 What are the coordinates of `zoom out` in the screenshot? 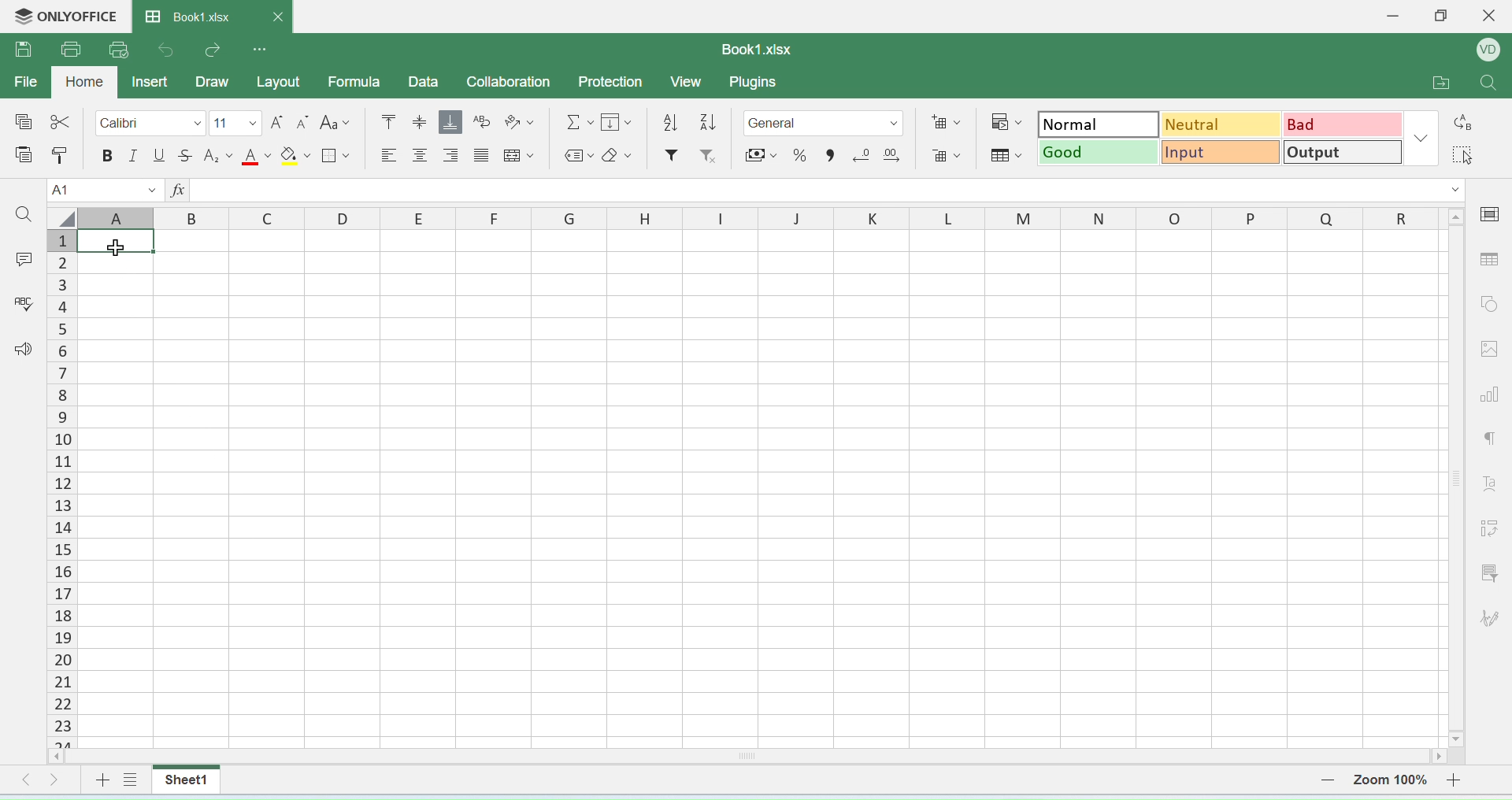 It's located at (1325, 779).